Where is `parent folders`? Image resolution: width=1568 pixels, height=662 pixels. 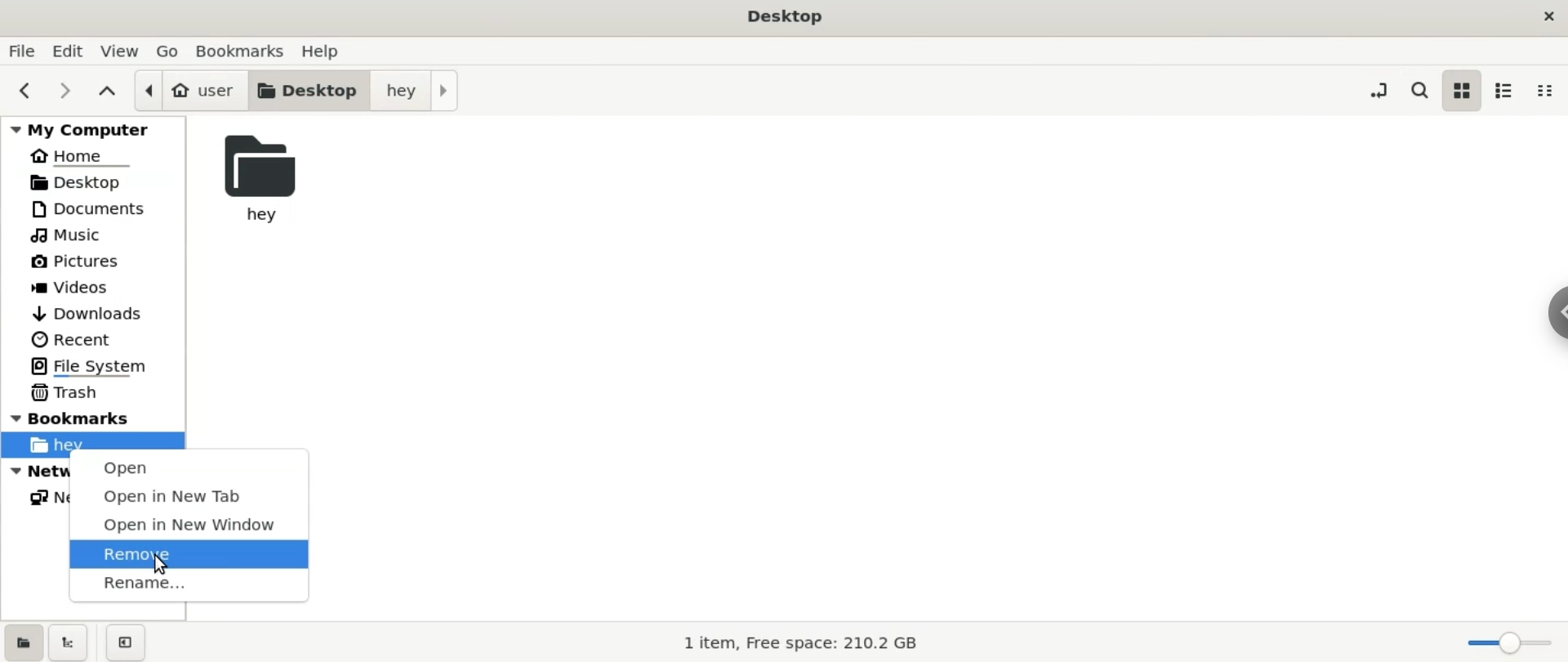
parent folders is located at coordinates (106, 91).